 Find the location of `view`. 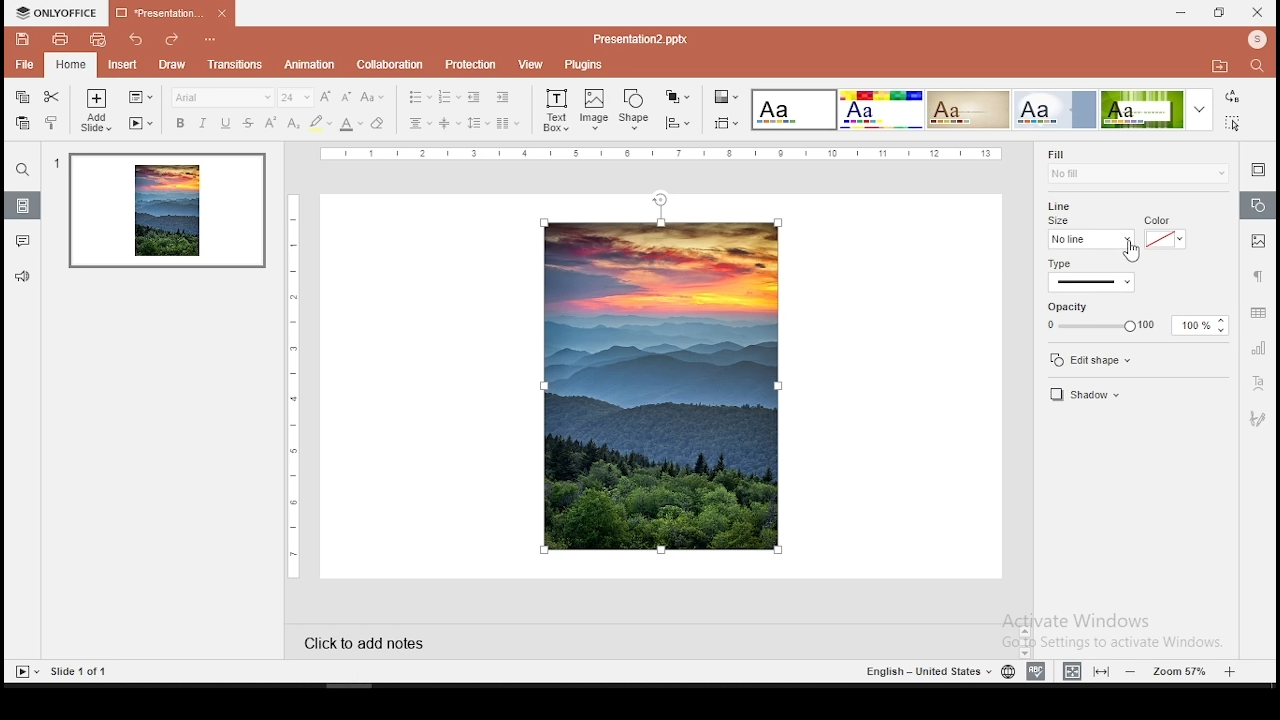

view is located at coordinates (532, 66).